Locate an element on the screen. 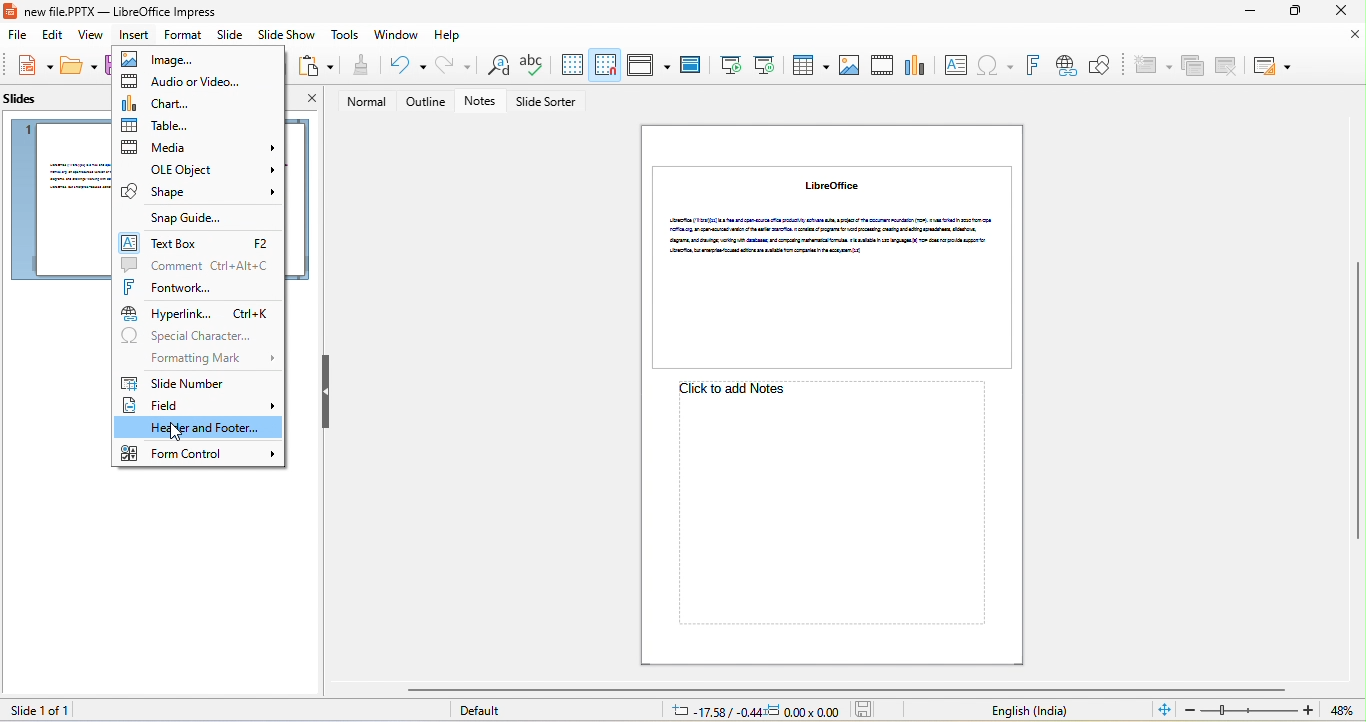 The image size is (1366, 722). fontwork is located at coordinates (177, 289).